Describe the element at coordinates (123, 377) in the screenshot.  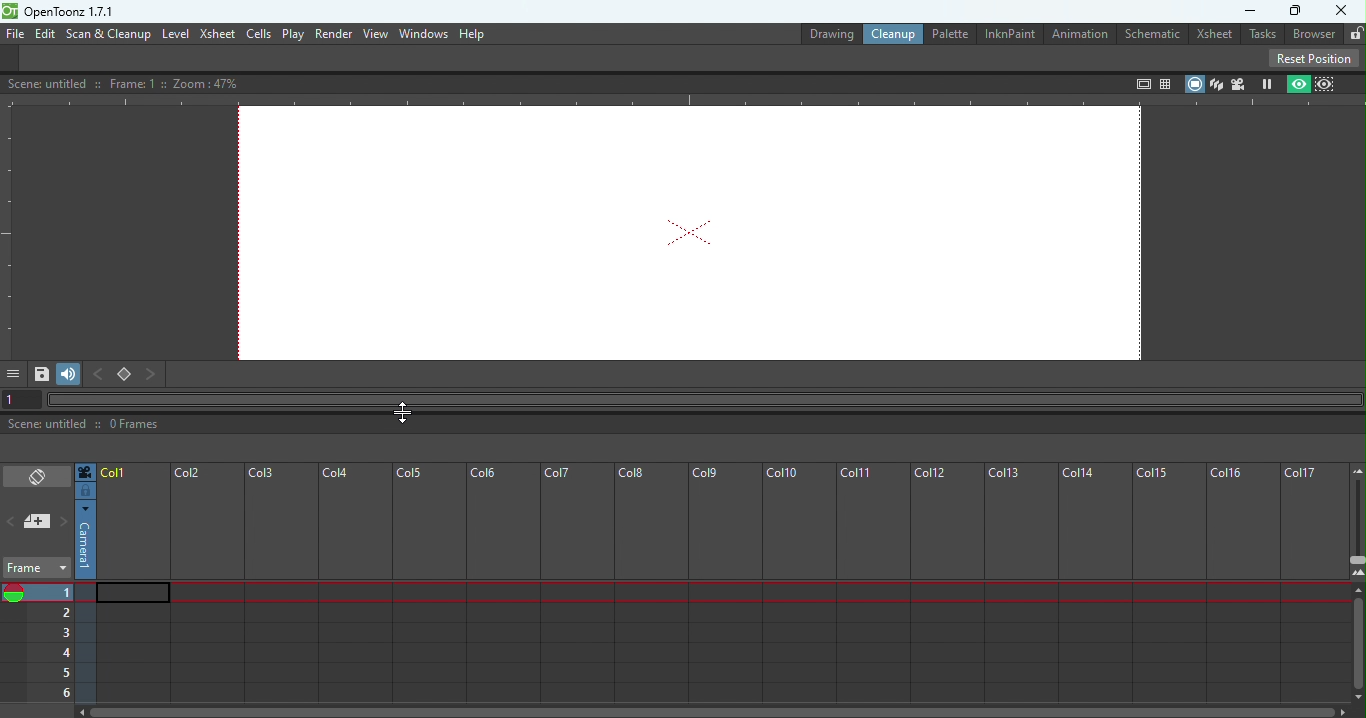
I see `Set key` at that location.